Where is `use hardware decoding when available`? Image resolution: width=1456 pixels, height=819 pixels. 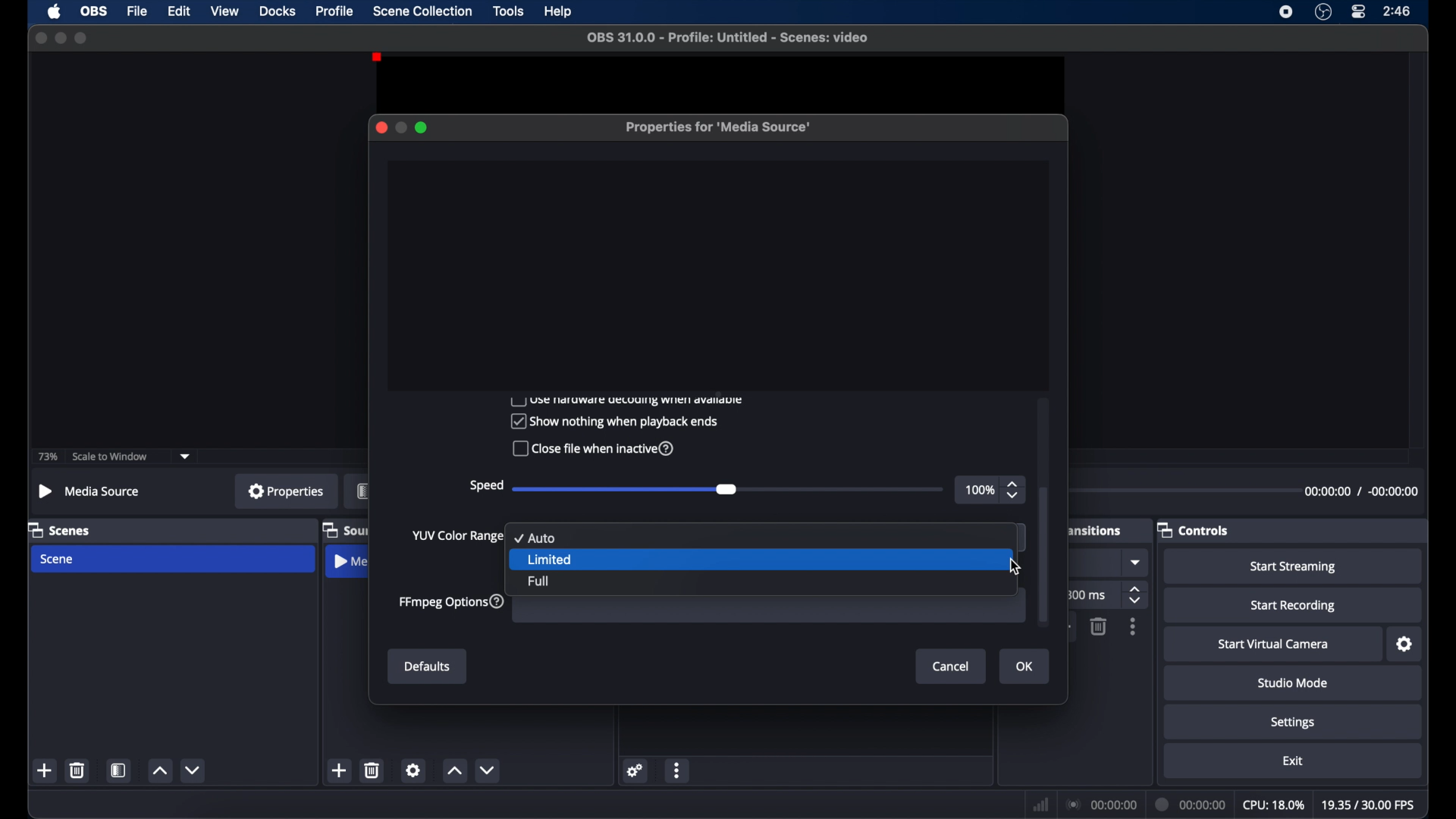
use hardware decoding when available is located at coordinates (627, 400).